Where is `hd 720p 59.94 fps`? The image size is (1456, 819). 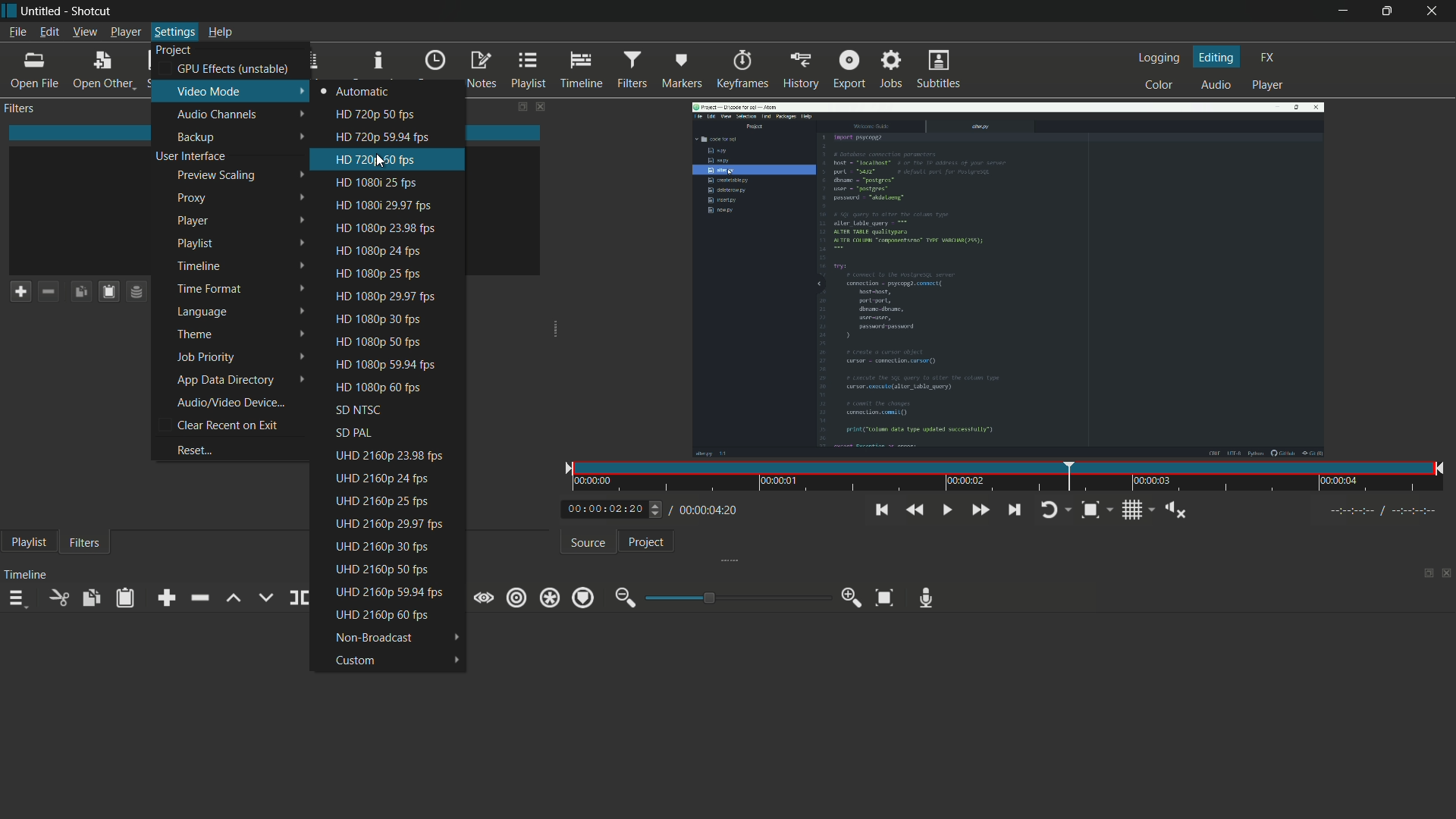
hd 720p 59.94 fps is located at coordinates (399, 137).